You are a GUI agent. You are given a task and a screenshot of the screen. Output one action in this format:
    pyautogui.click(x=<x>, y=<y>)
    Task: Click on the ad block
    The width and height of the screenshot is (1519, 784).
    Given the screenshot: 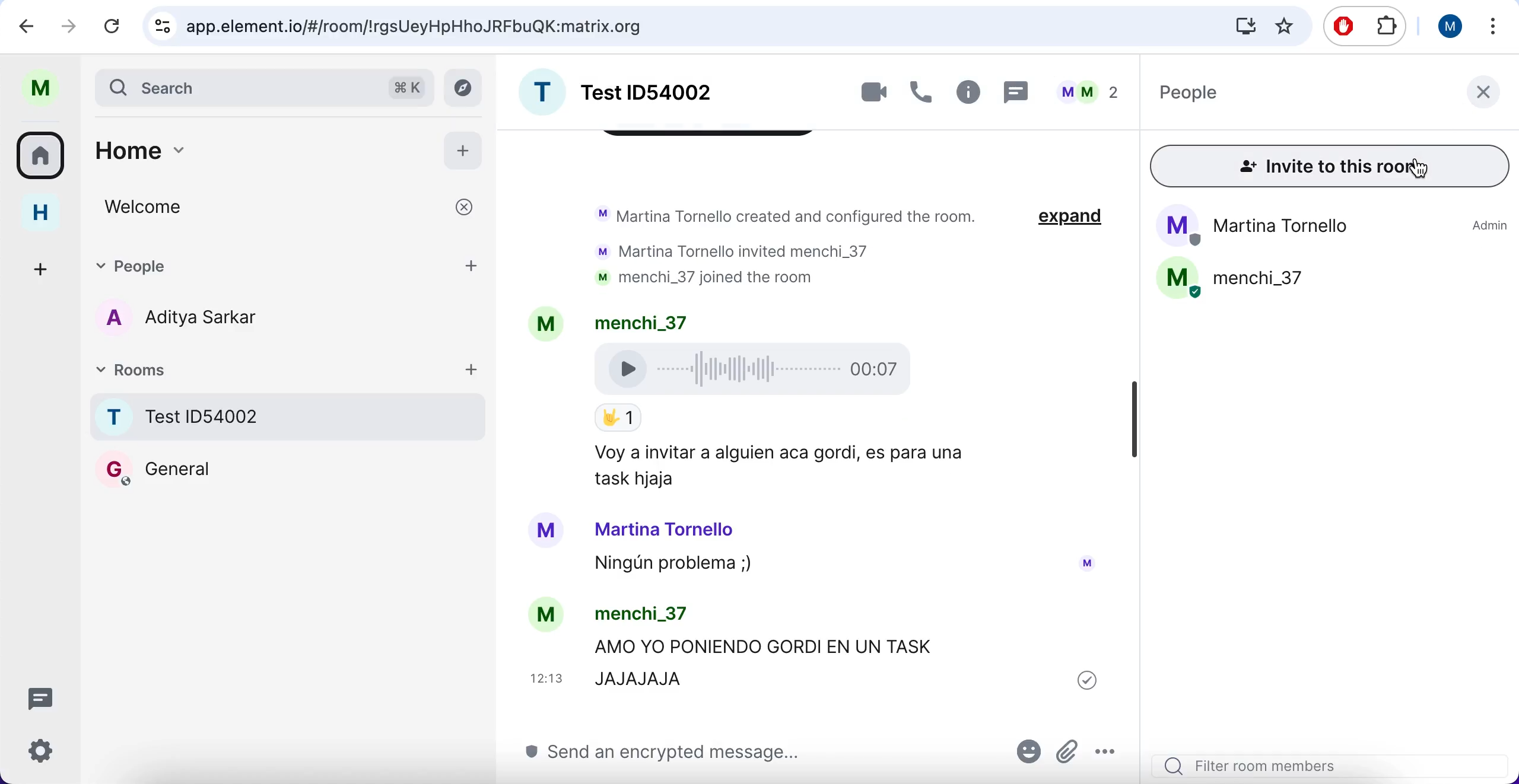 What is the action you would take?
    pyautogui.click(x=1343, y=27)
    